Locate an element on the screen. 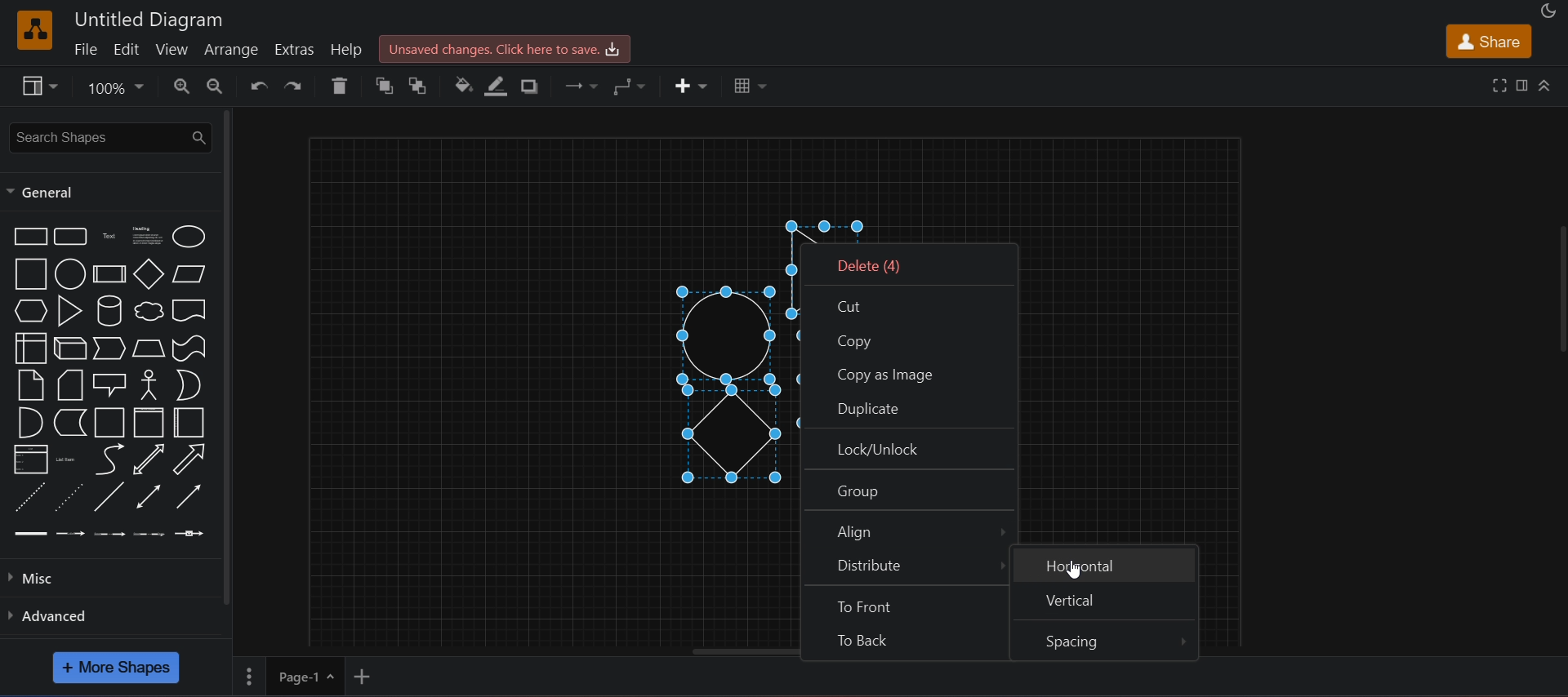 Image resolution: width=1568 pixels, height=697 pixels. connection is located at coordinates (584, 87).